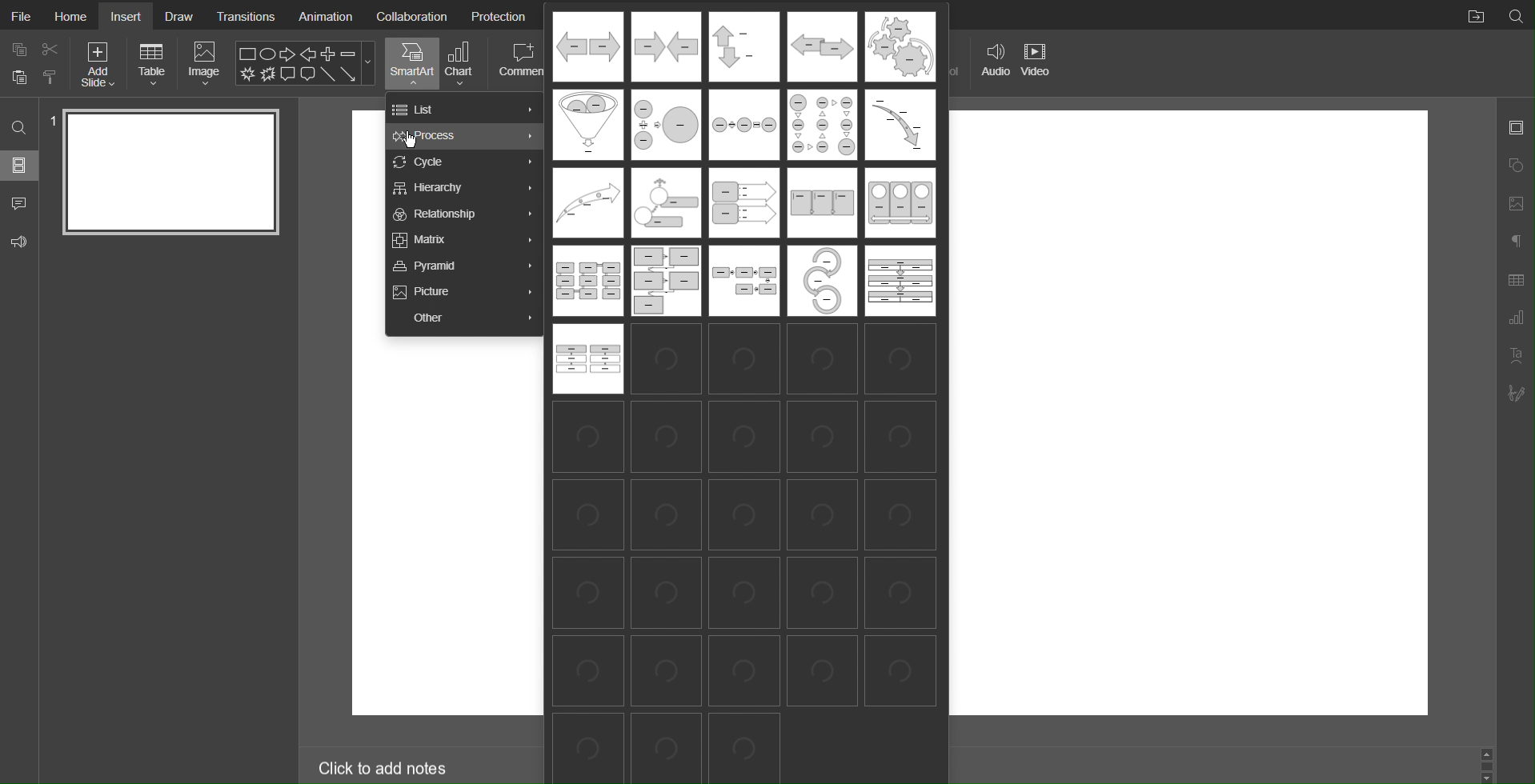 This screenshot has height=784, width=1535. What do you see at coordinates (384, 766) in the screenshot?
I see `Click to add notes` at bounding box center [384, 766].